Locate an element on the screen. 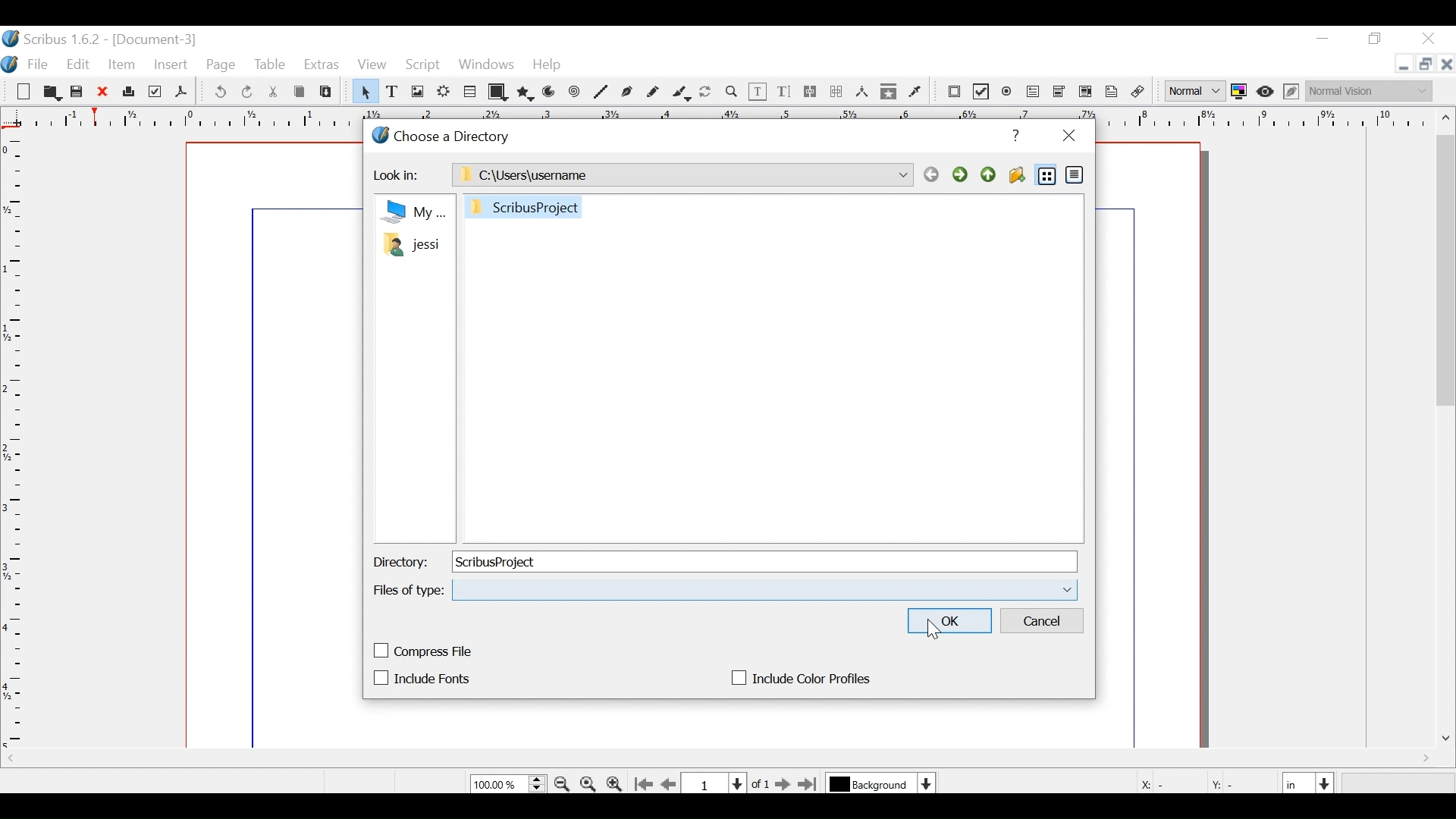 Image resolution: width=1456 pixels, height=819 pixels. Select the curent layer is located at coordinates (872, 783).